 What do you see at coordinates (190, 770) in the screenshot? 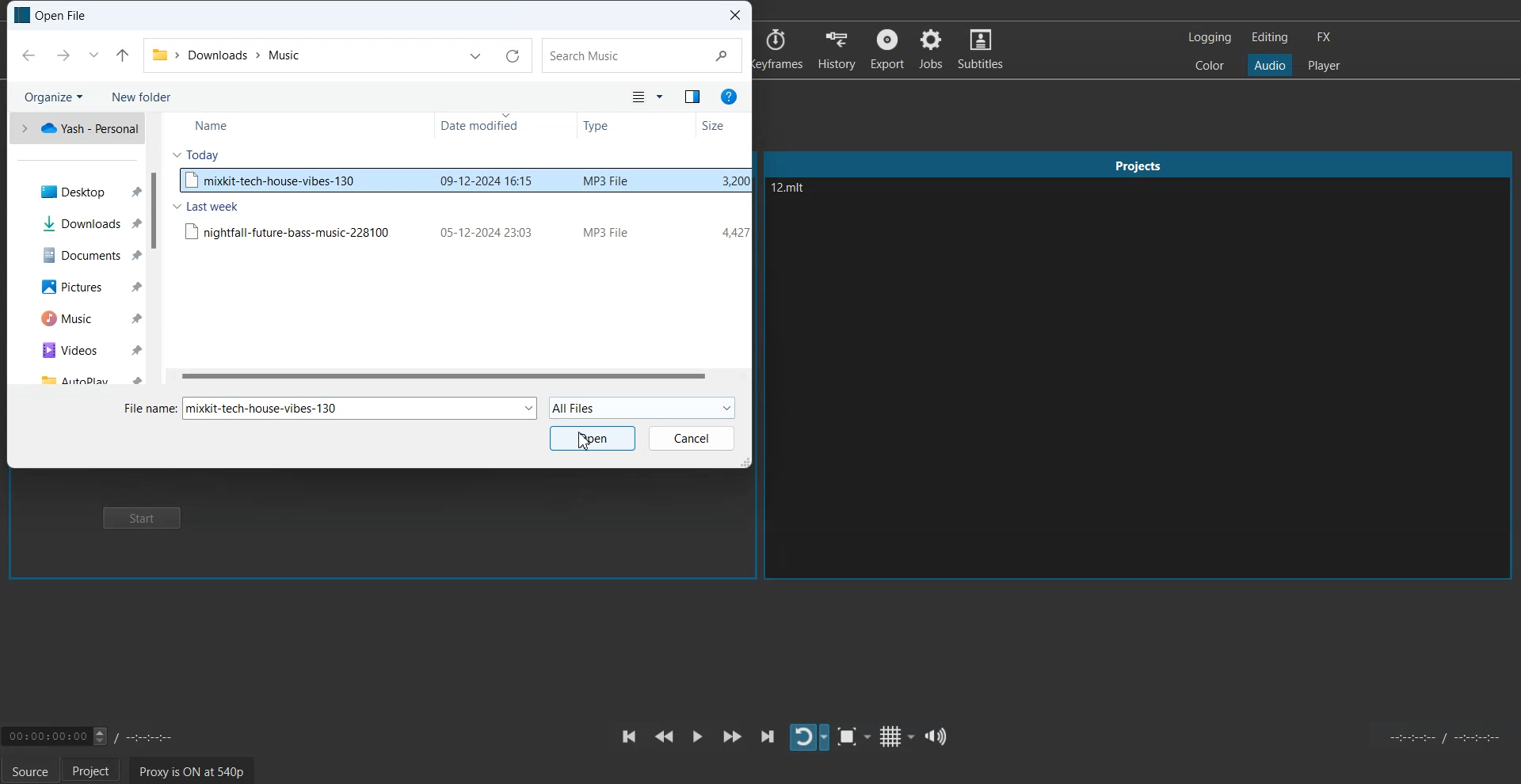
I see `Proxy is ON at 540p ` at bounding box center [190, 770].